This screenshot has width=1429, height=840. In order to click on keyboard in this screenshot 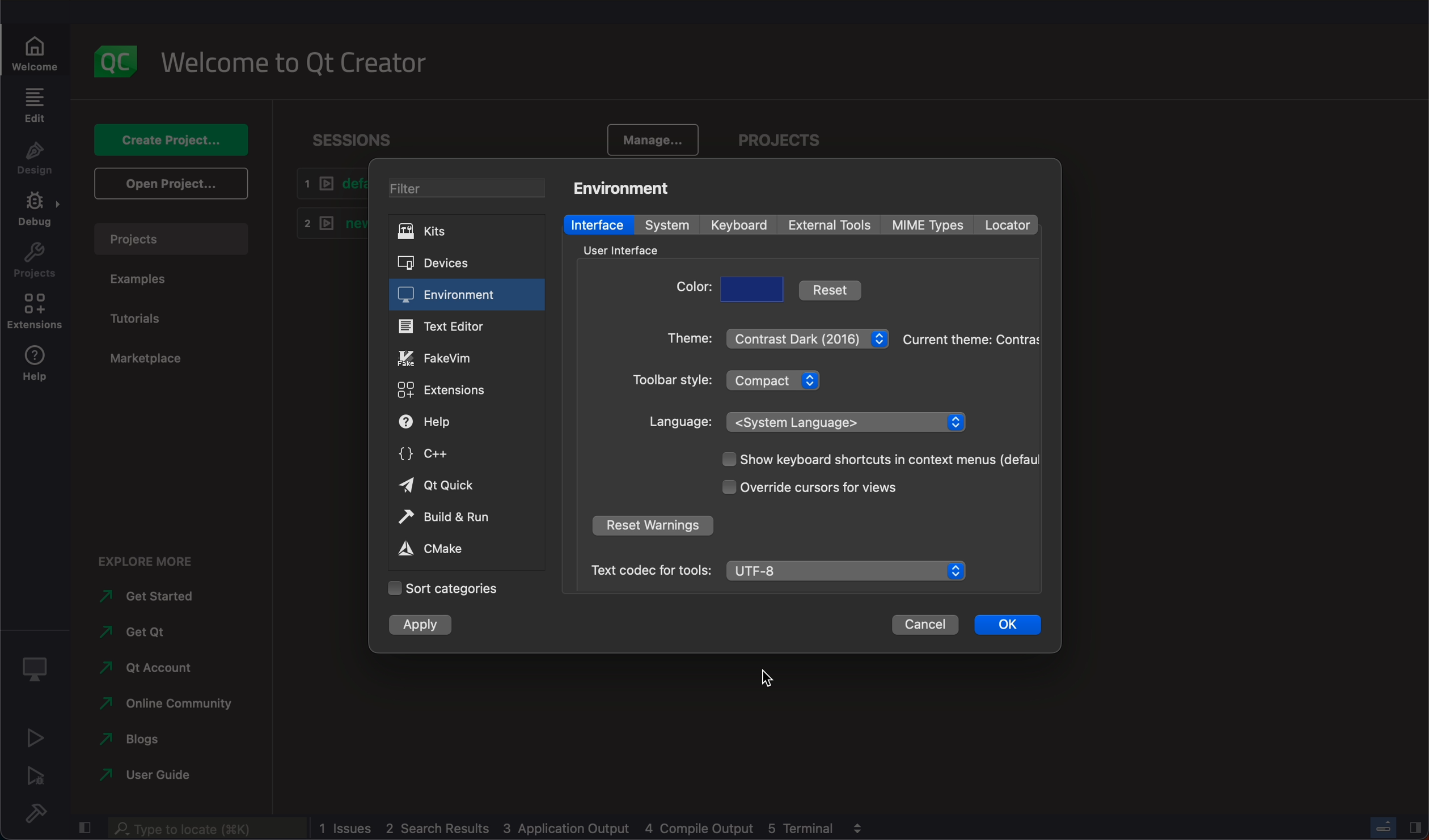, I will do `click(742, 225)`.